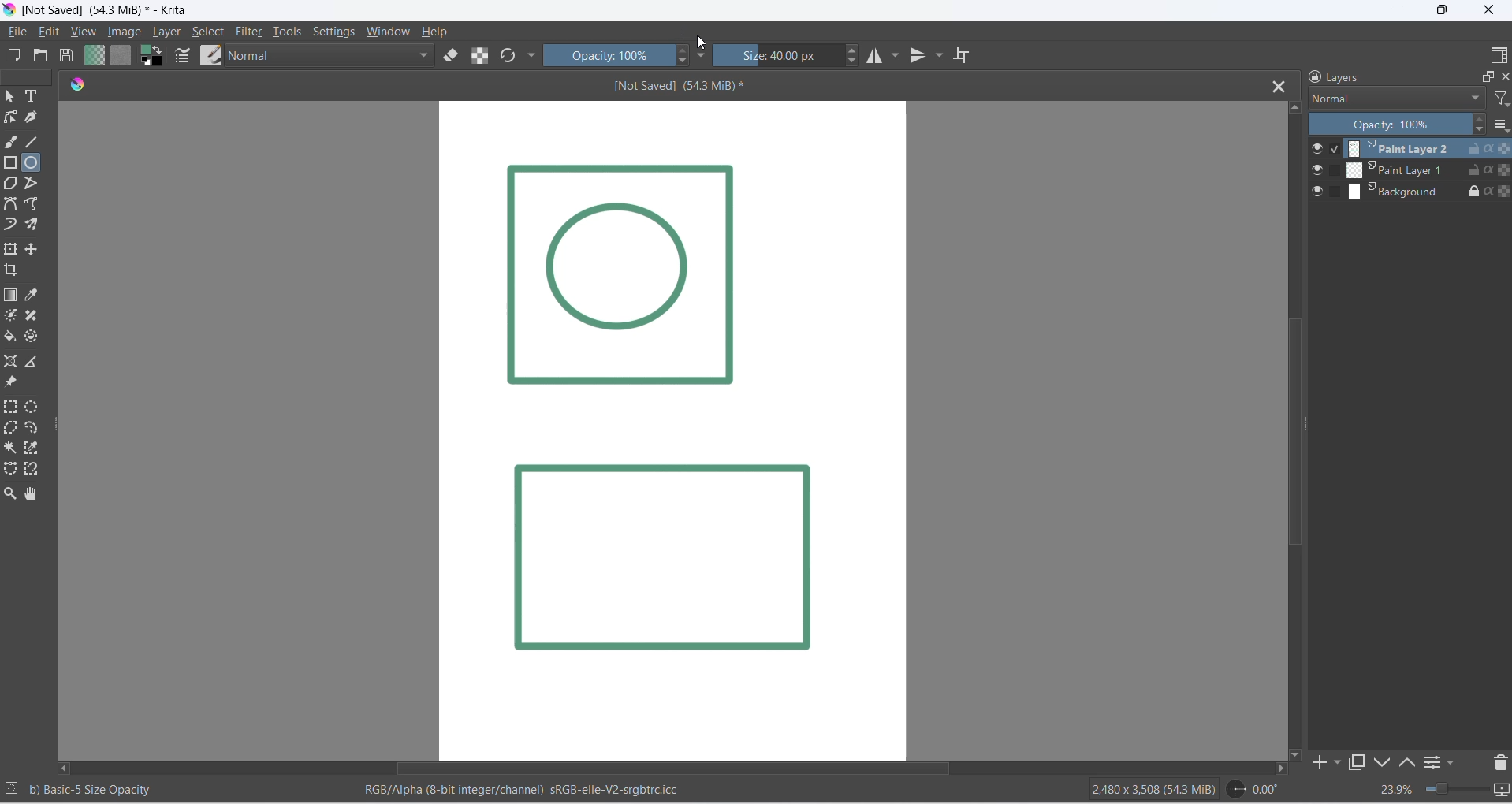 The image size is (1512, 804). What do you see at coordinates (1399, 124) in the screenshot?
I see `opacity` at bounding box center [1399, 124].